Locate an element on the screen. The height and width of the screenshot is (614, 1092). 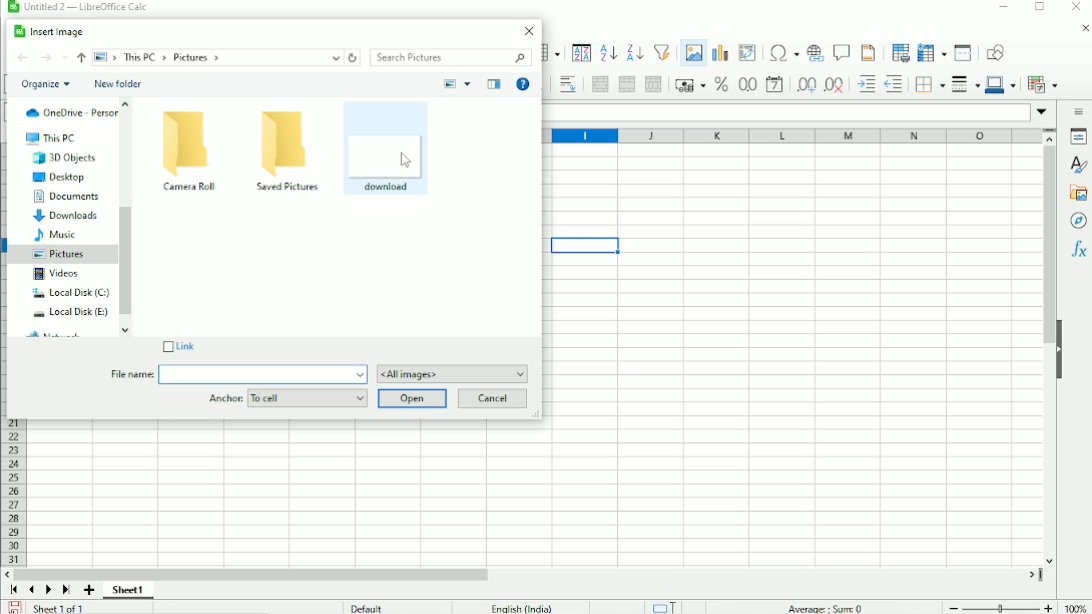
Expand formula bar is located at coordinates (1042, 111).